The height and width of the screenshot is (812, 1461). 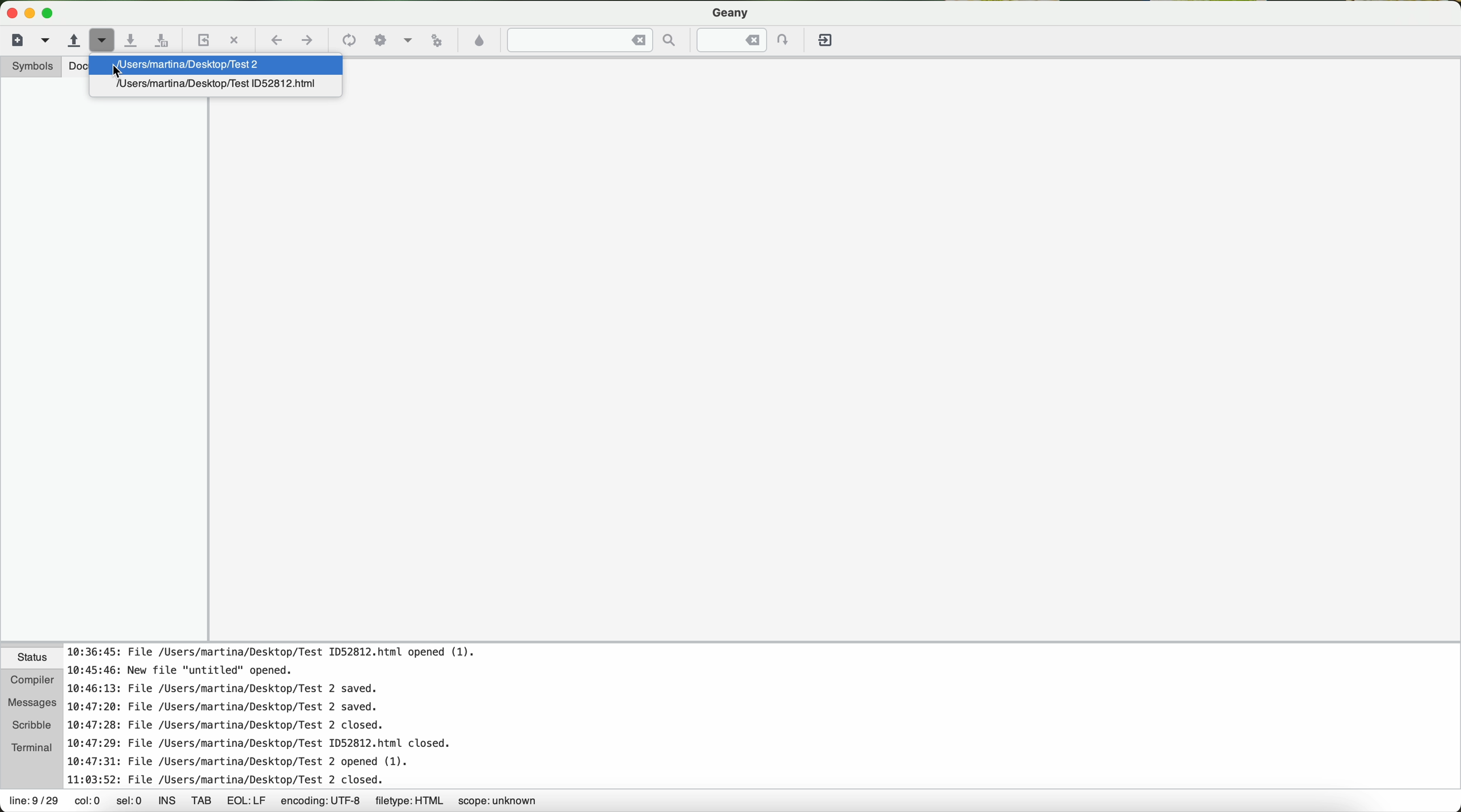 What do you see at coordinates (380, 40) in the screenshot?
I see `icon` at bounding box center [380, 40].